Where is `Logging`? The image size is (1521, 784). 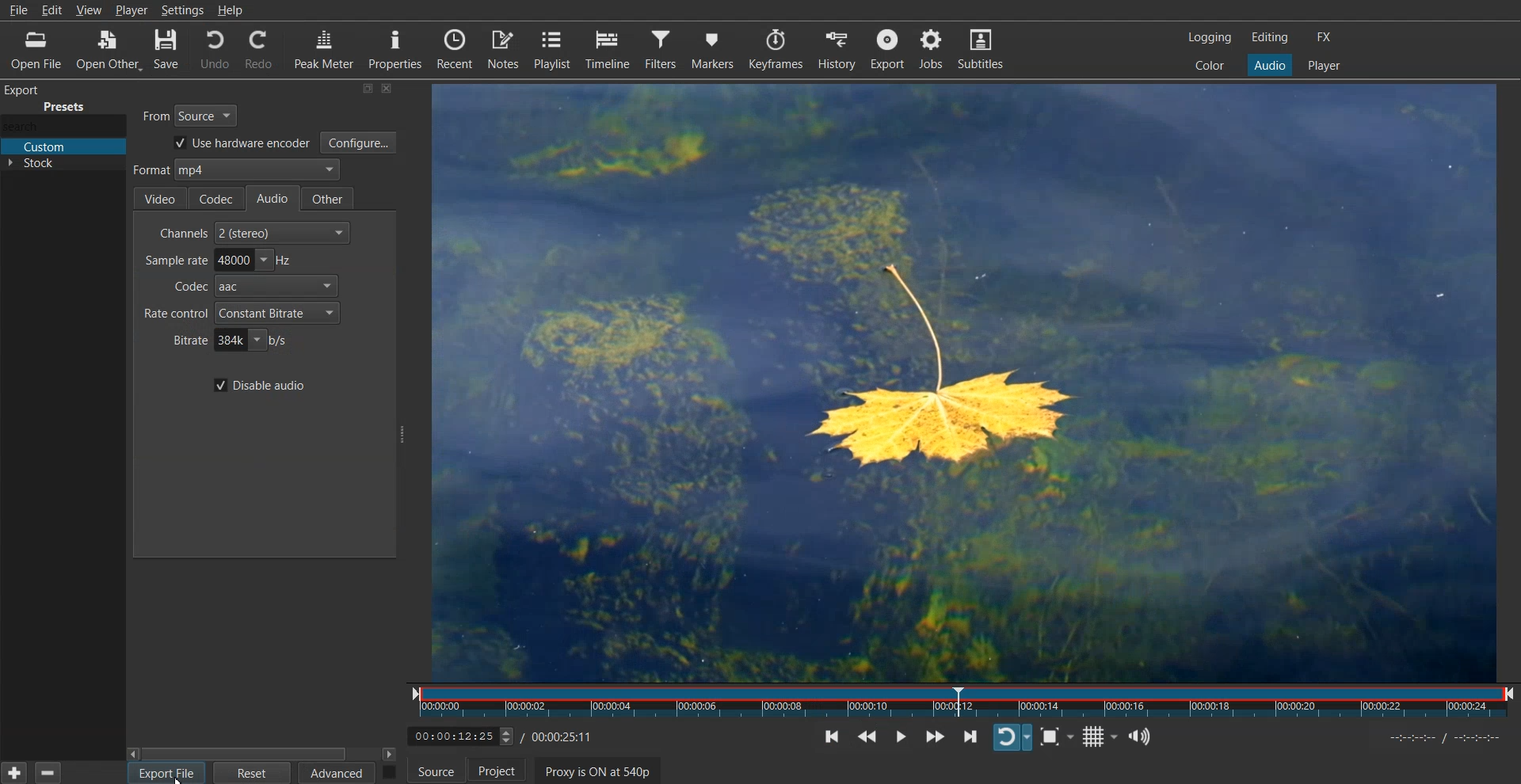
Logging is located at coordinates (1210, 37).